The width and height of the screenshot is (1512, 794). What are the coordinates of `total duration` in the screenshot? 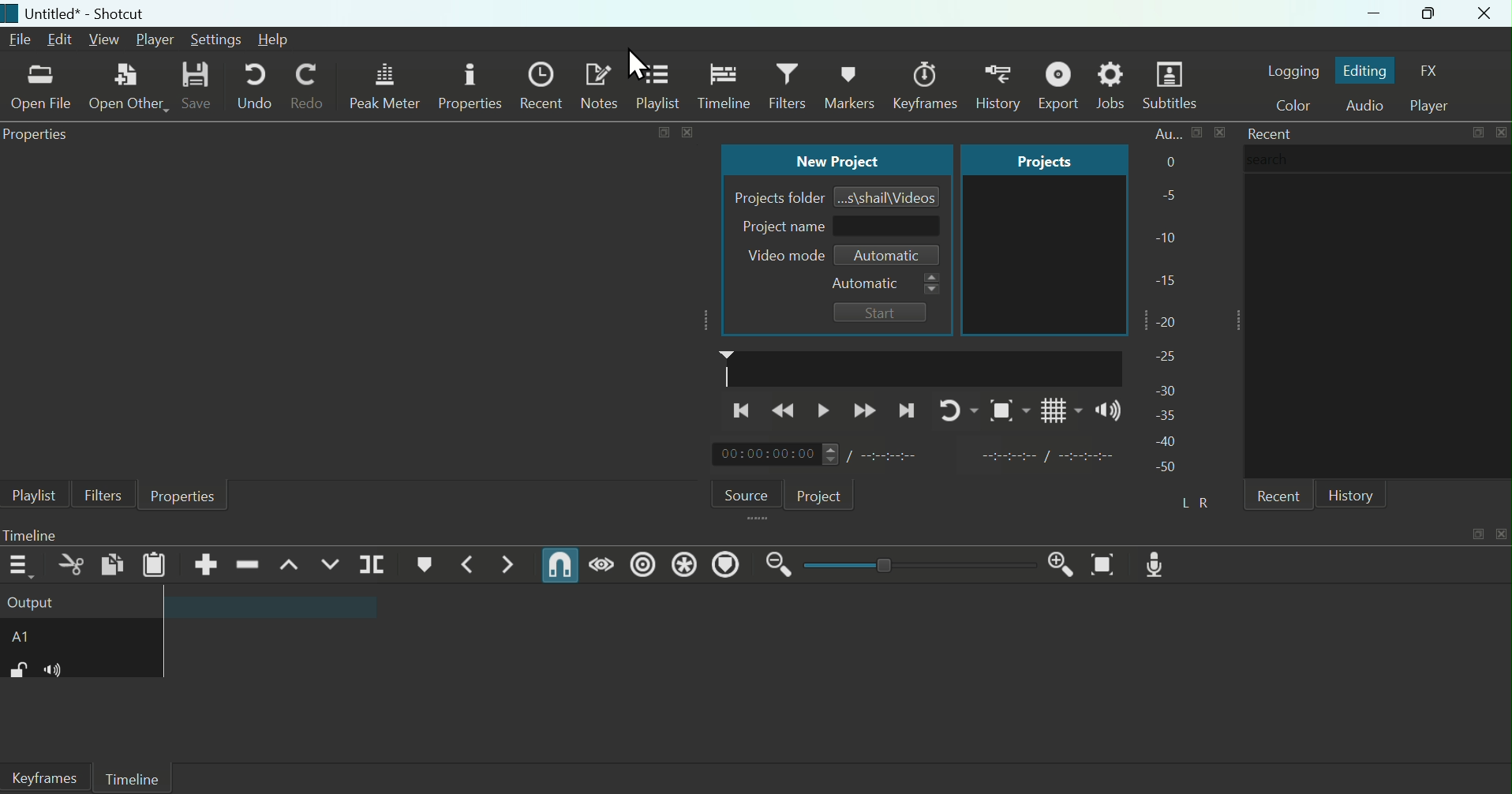 It's located at (897, 455).